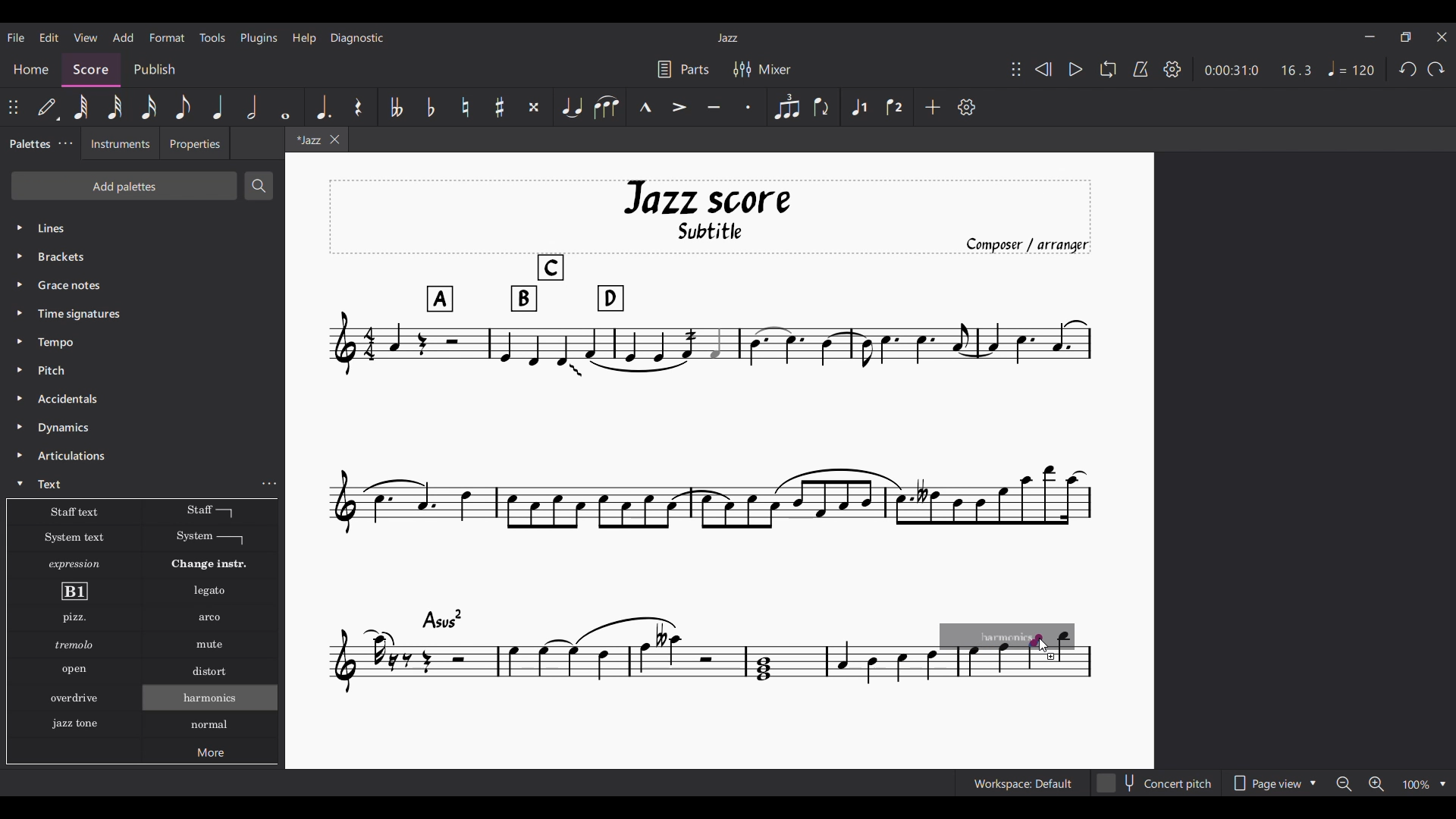 This screenshot has height=819, width=1456. Describe the element at coordinates (31, 70) in the screenshot. I see `Home section` at that location.